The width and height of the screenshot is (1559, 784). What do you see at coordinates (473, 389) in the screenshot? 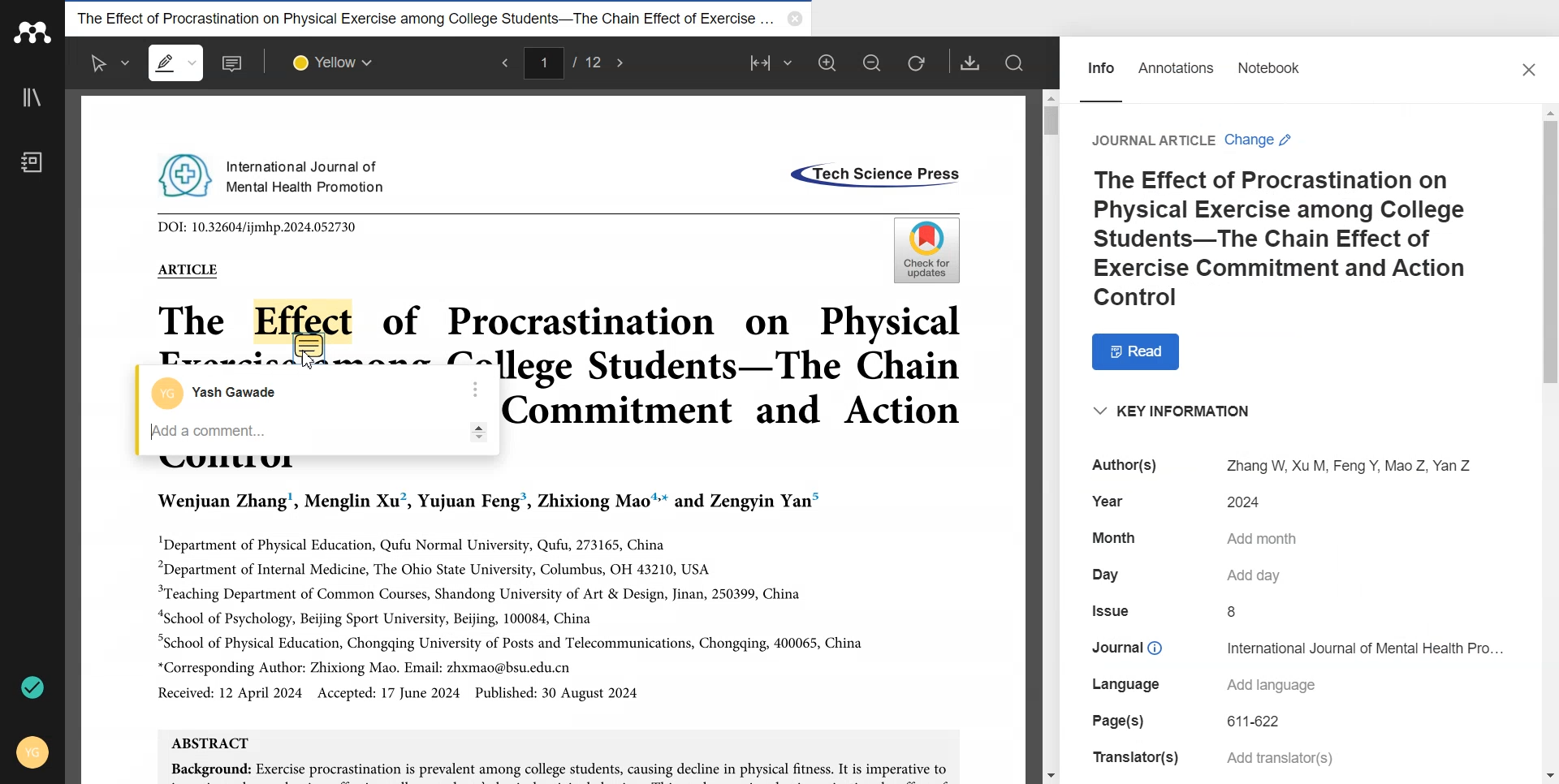
I see `More` at bounding box center [473, 389].